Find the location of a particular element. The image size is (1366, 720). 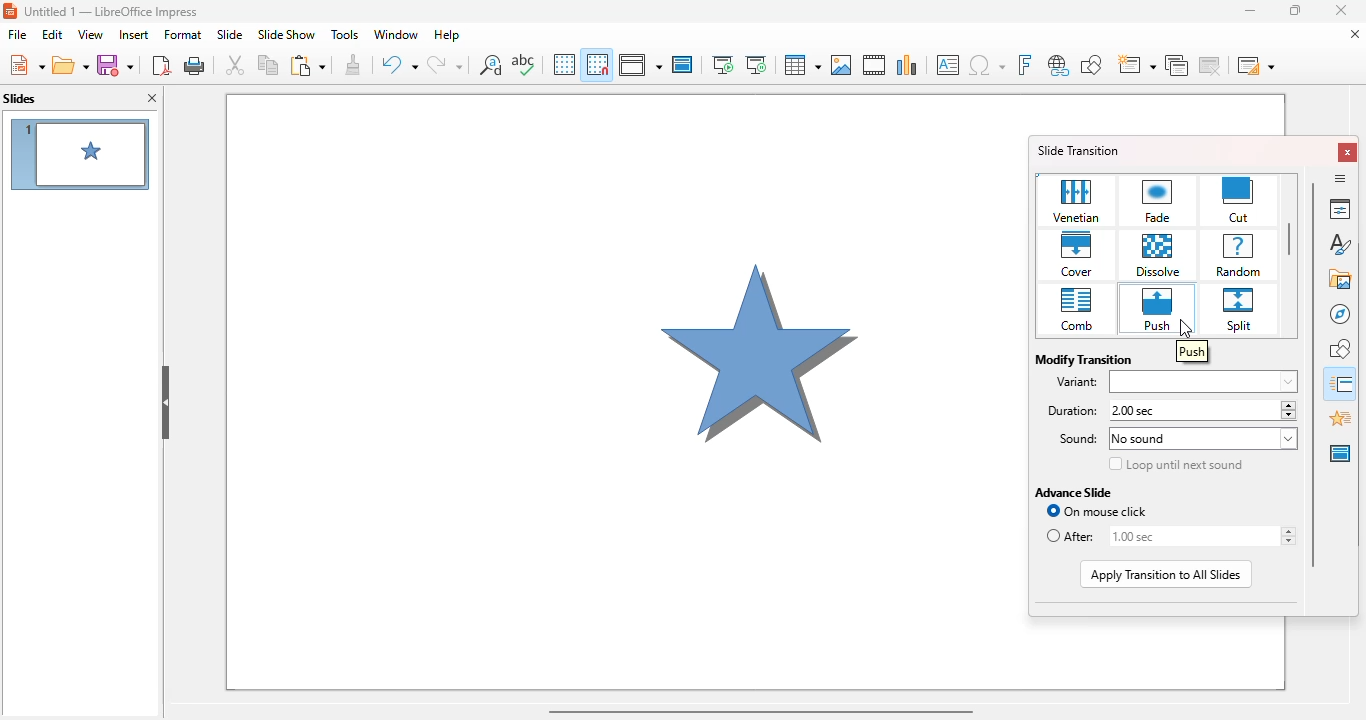

help is located at coordinates (447, 36).